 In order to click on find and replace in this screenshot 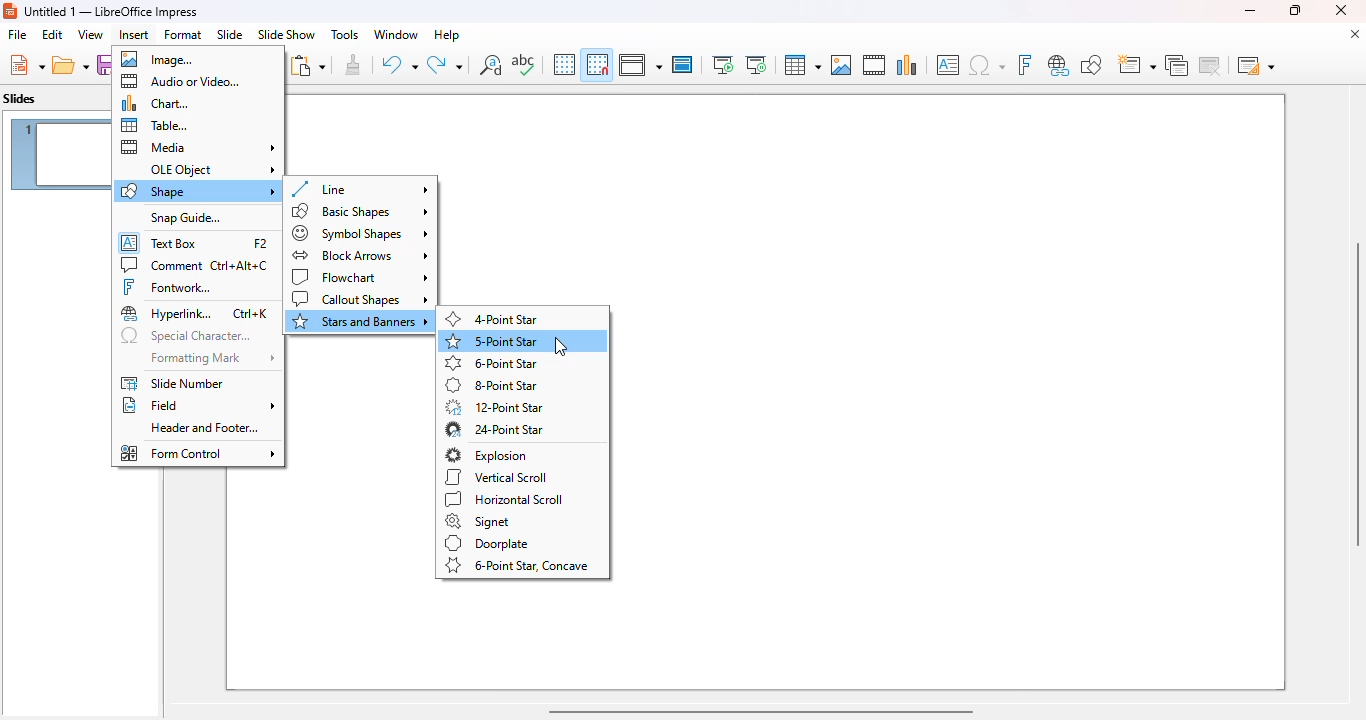, I will do `click(491, 64)`.